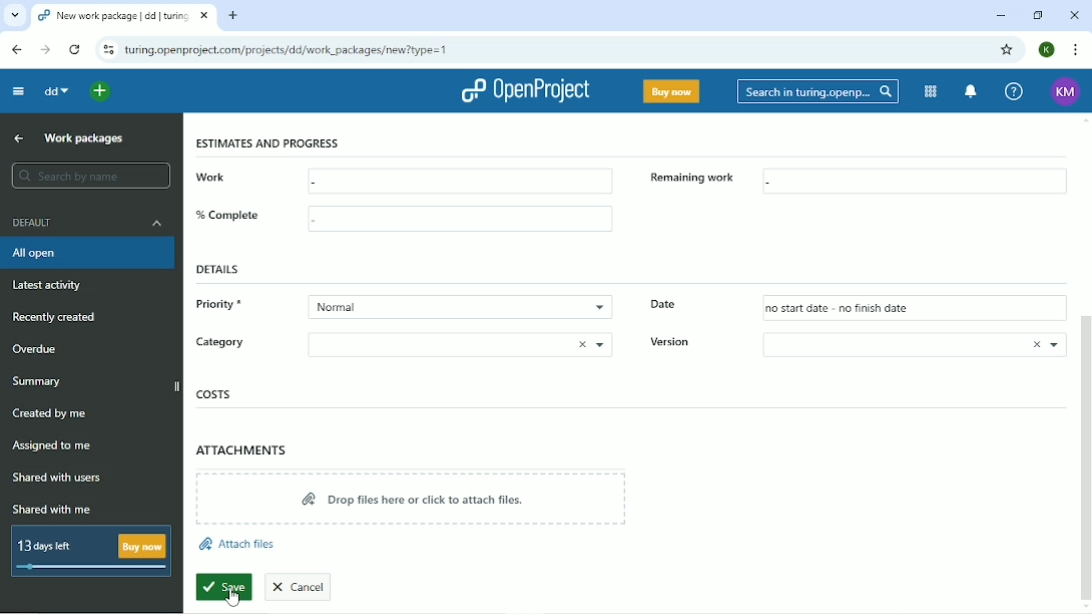 The height and width of the screenshot is (614, 1092). I want to click on close, so click(580, 347).